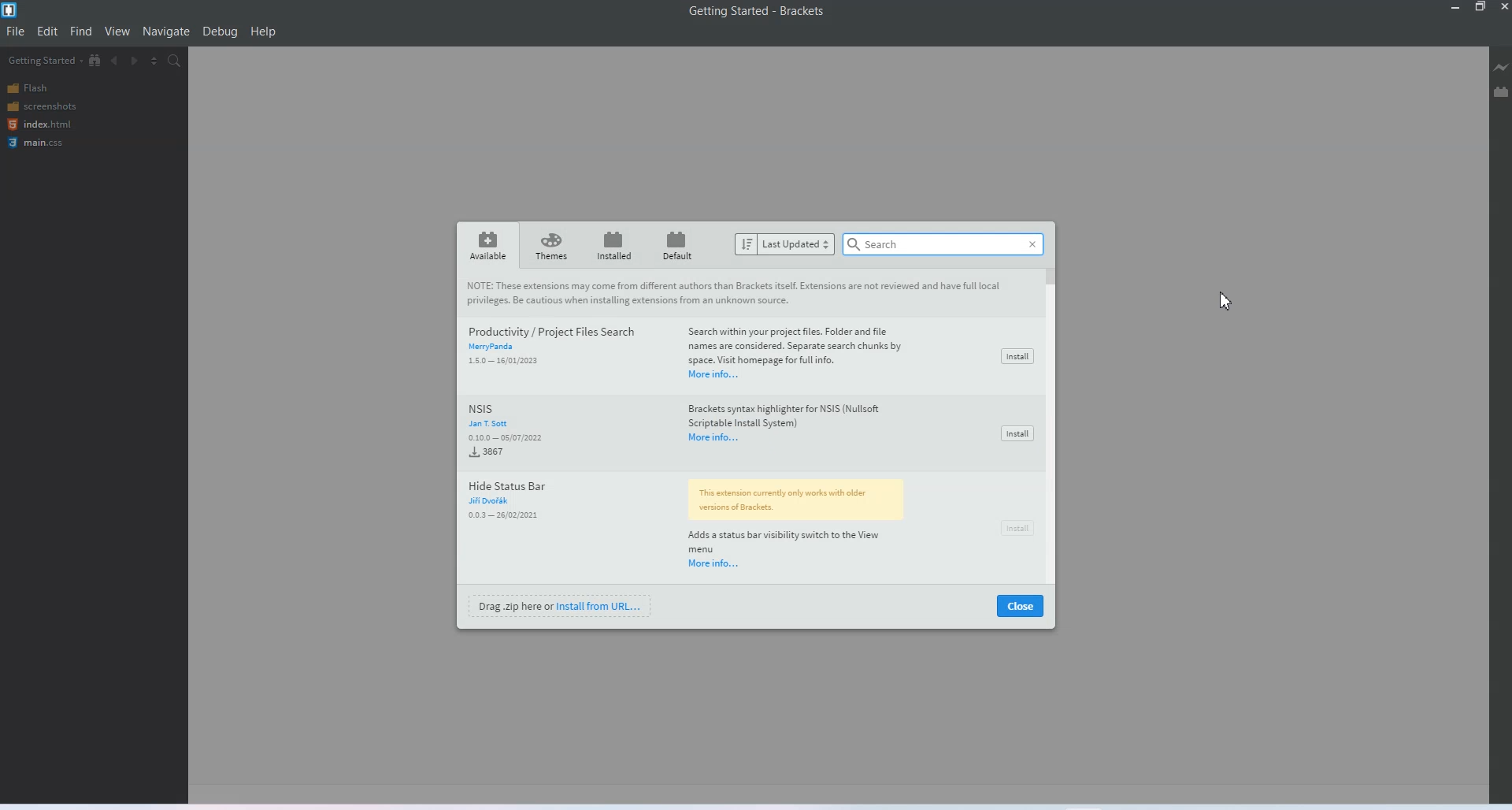 This screenshot has height=810, width=1512. I want to click on Getting started, so click(43, 60).